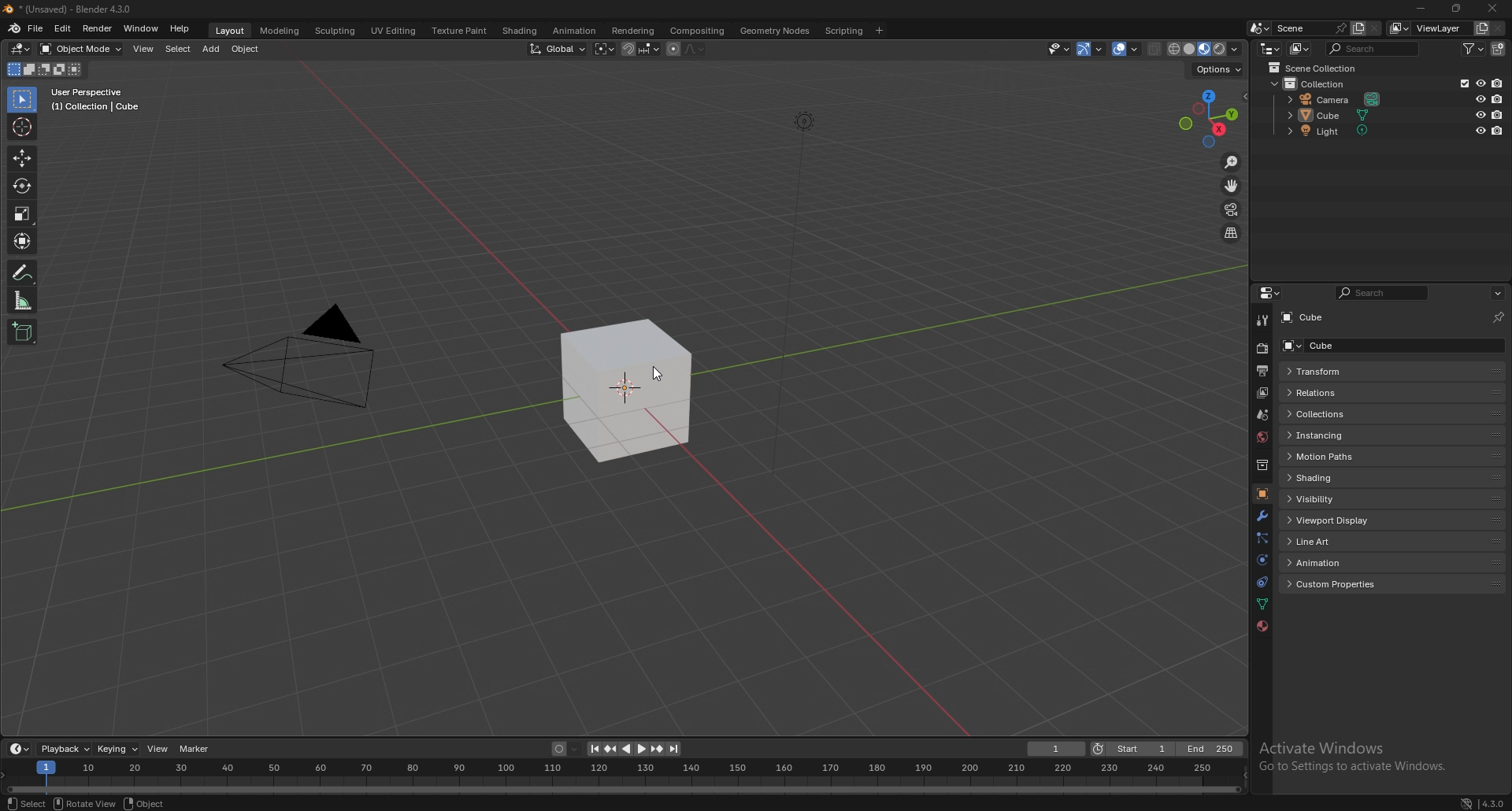  What do you see at coordinates (68, 9) in the screenshot?
I see `title` at bounding box center [68, 9].